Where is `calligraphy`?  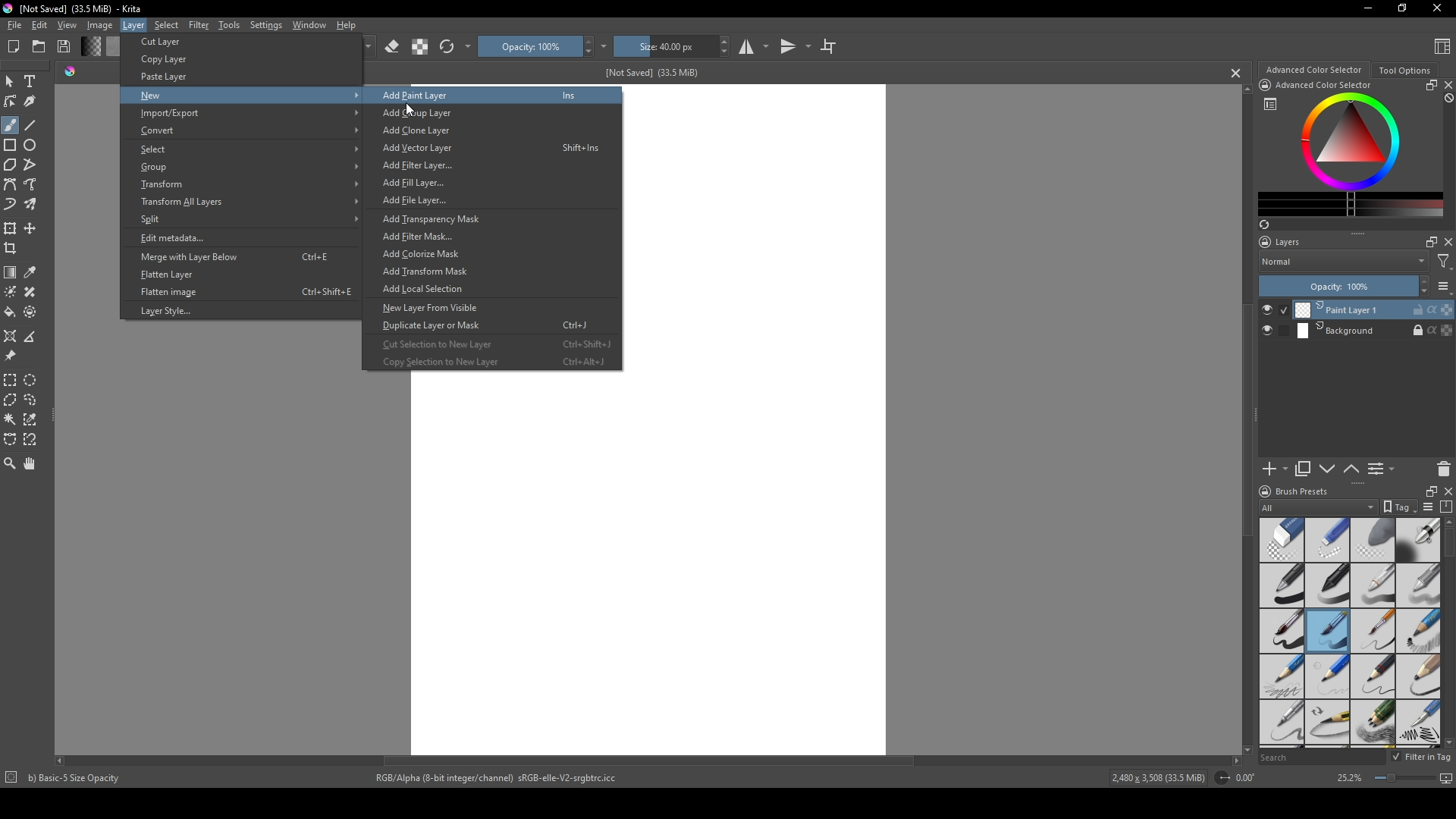
calligraphy is located at coordinates (32, 101).